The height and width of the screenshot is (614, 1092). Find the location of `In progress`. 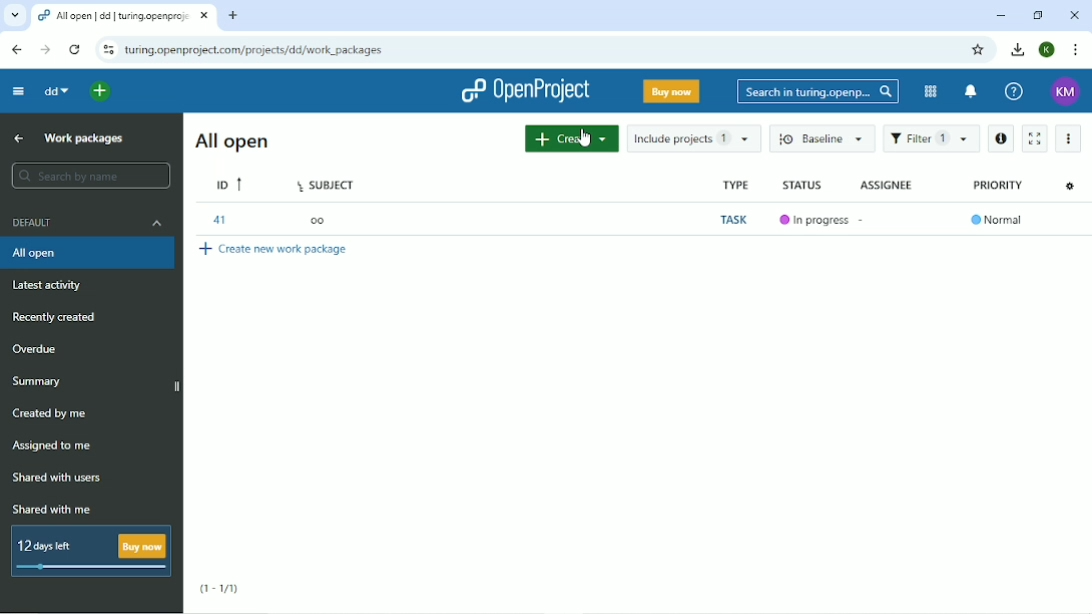

In progress is located at coordinates (816, 220).